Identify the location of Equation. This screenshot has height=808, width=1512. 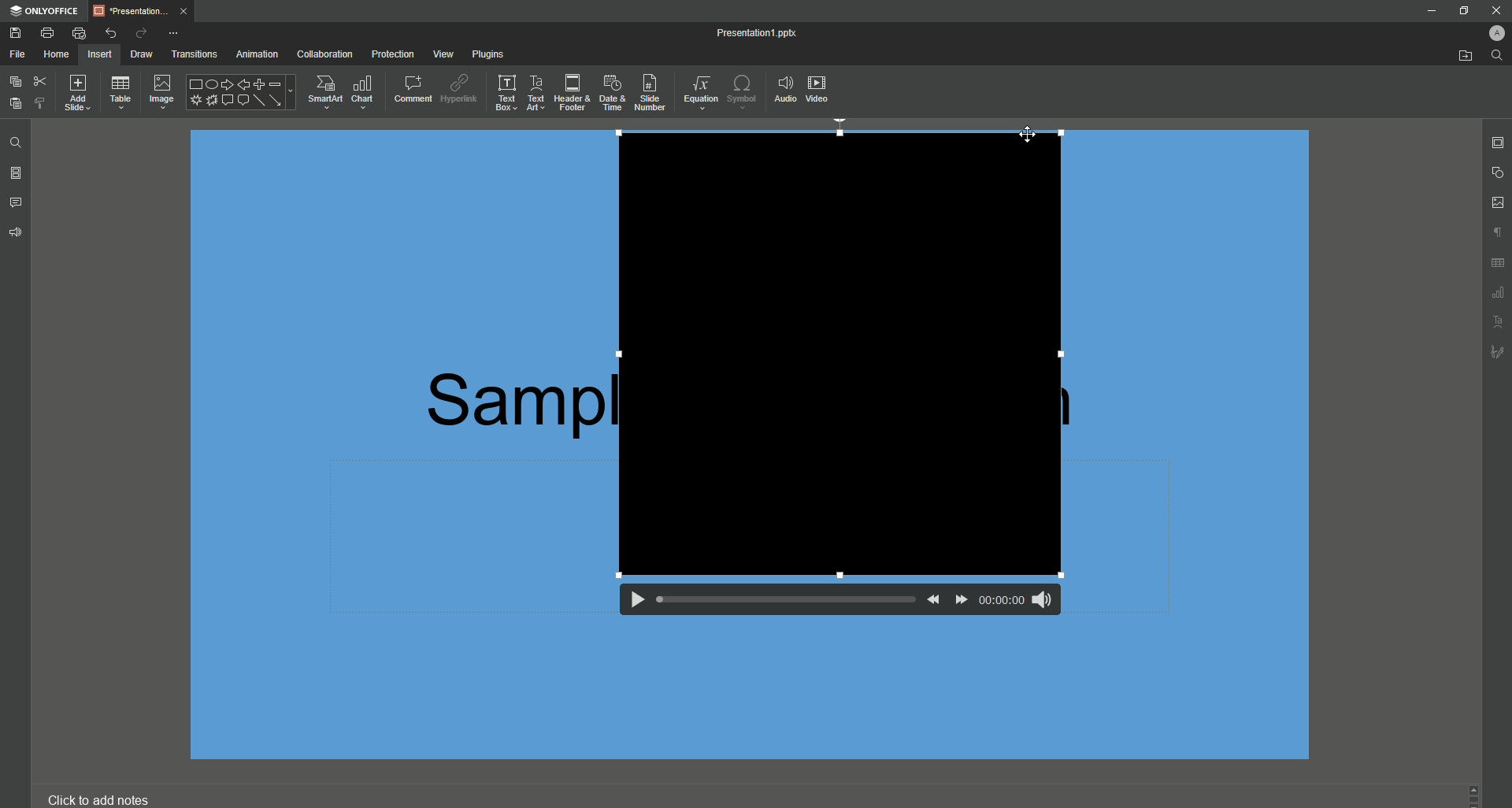
(702, 95).